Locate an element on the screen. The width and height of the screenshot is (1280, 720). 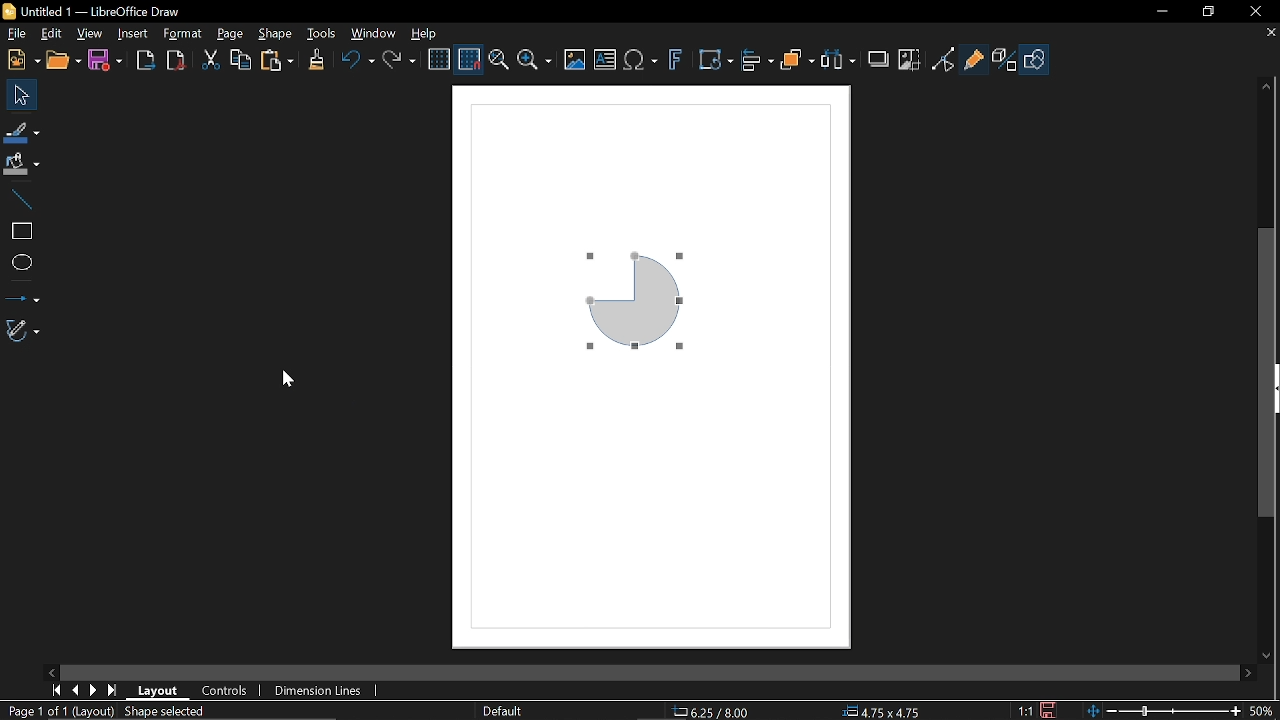
Next page is located at coordinates (93, 689).